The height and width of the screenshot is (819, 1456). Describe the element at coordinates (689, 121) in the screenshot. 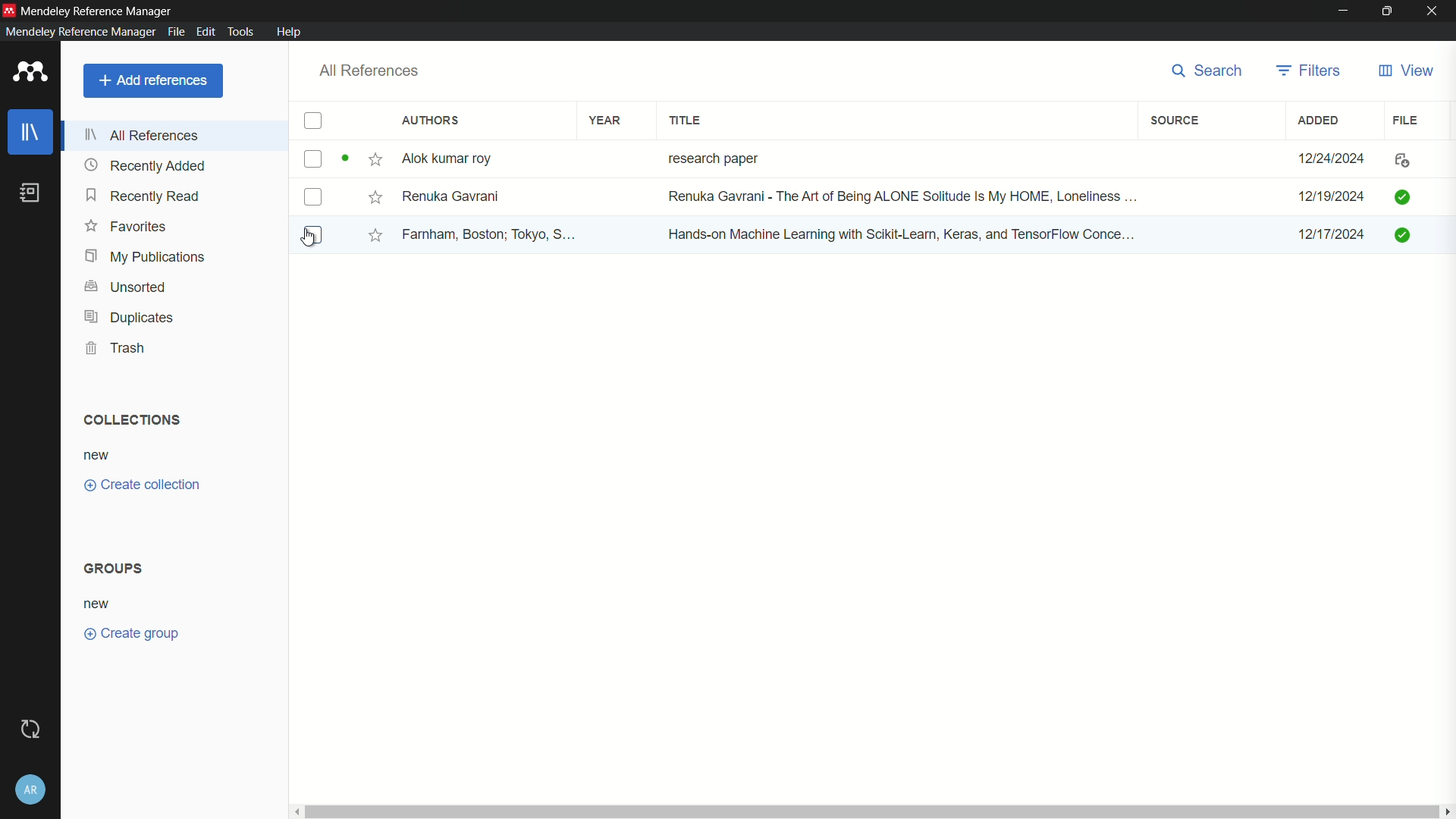

I see `title` at that location.